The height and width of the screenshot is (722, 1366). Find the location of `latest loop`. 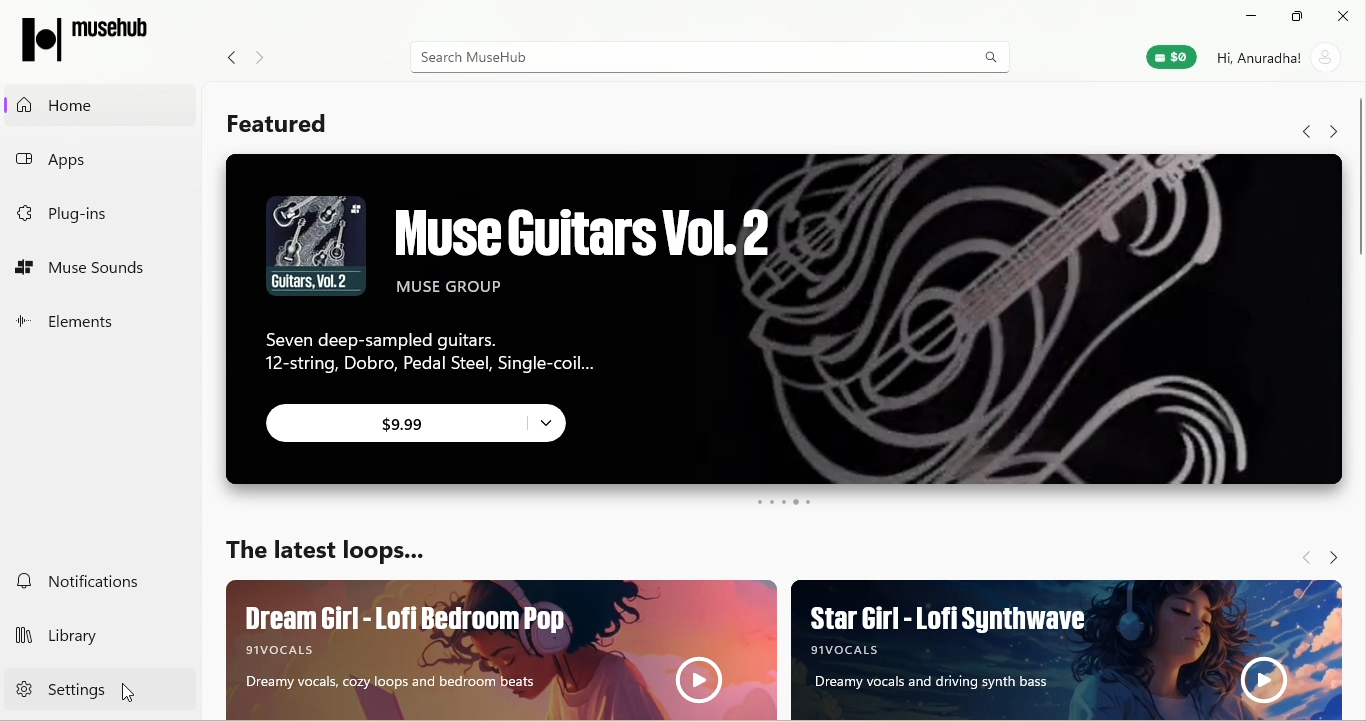

latest loop is located at coordinates (325, 548).